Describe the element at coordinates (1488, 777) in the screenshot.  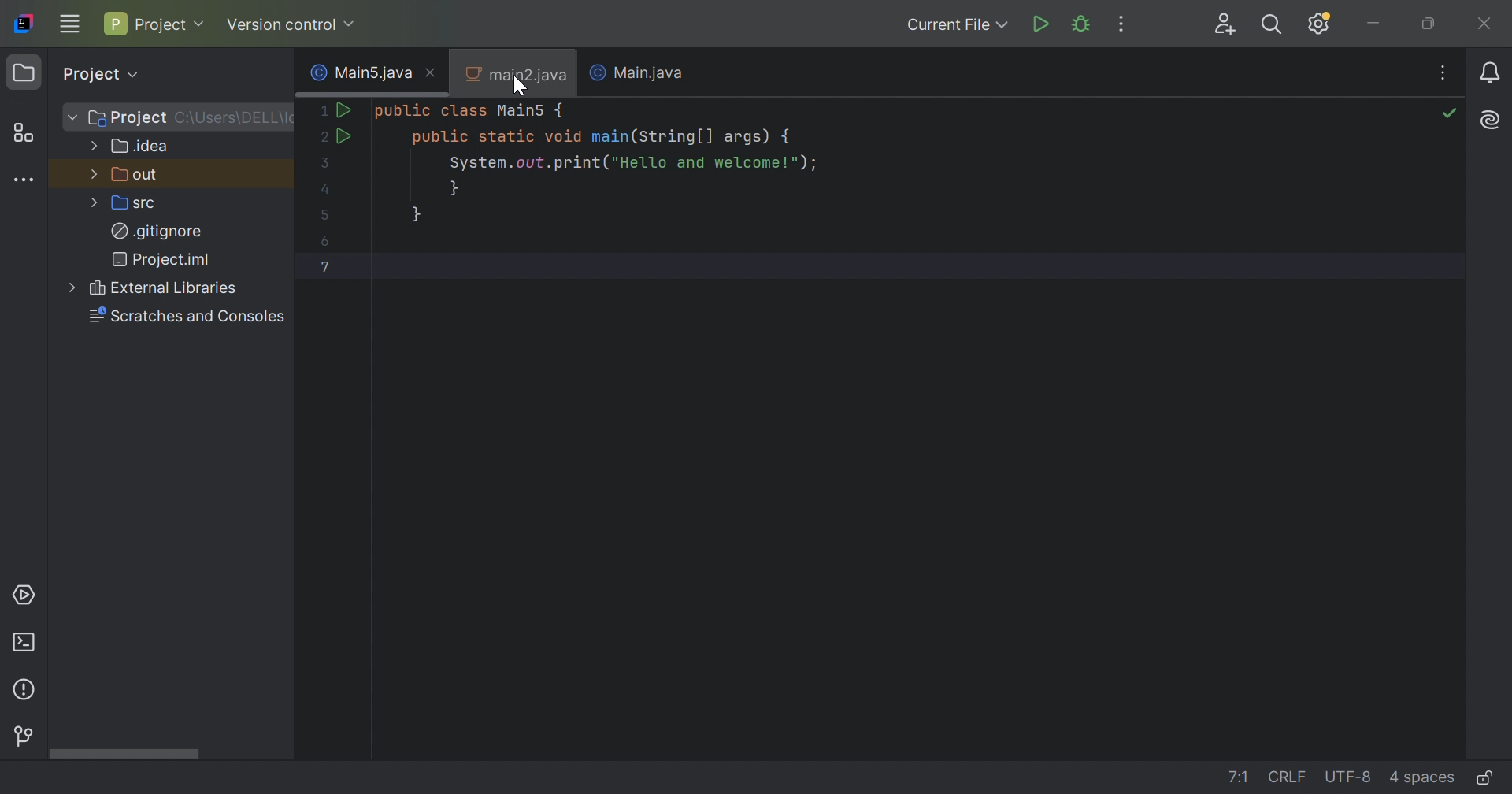
I see `Make file read-only` at that location.